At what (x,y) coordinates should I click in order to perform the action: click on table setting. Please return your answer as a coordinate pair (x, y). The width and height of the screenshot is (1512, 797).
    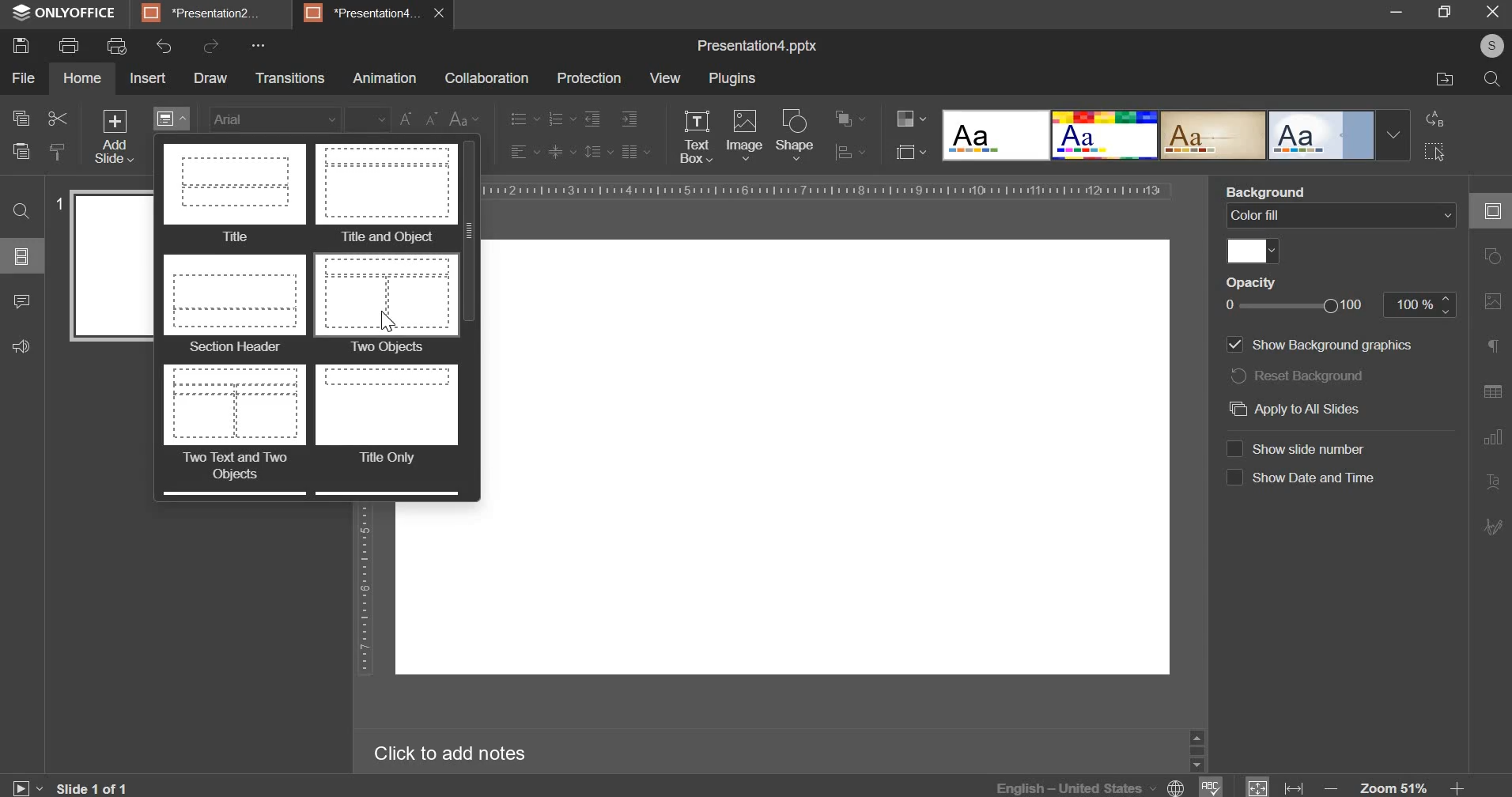
    Looking at the image, I should click on (1491, 387).